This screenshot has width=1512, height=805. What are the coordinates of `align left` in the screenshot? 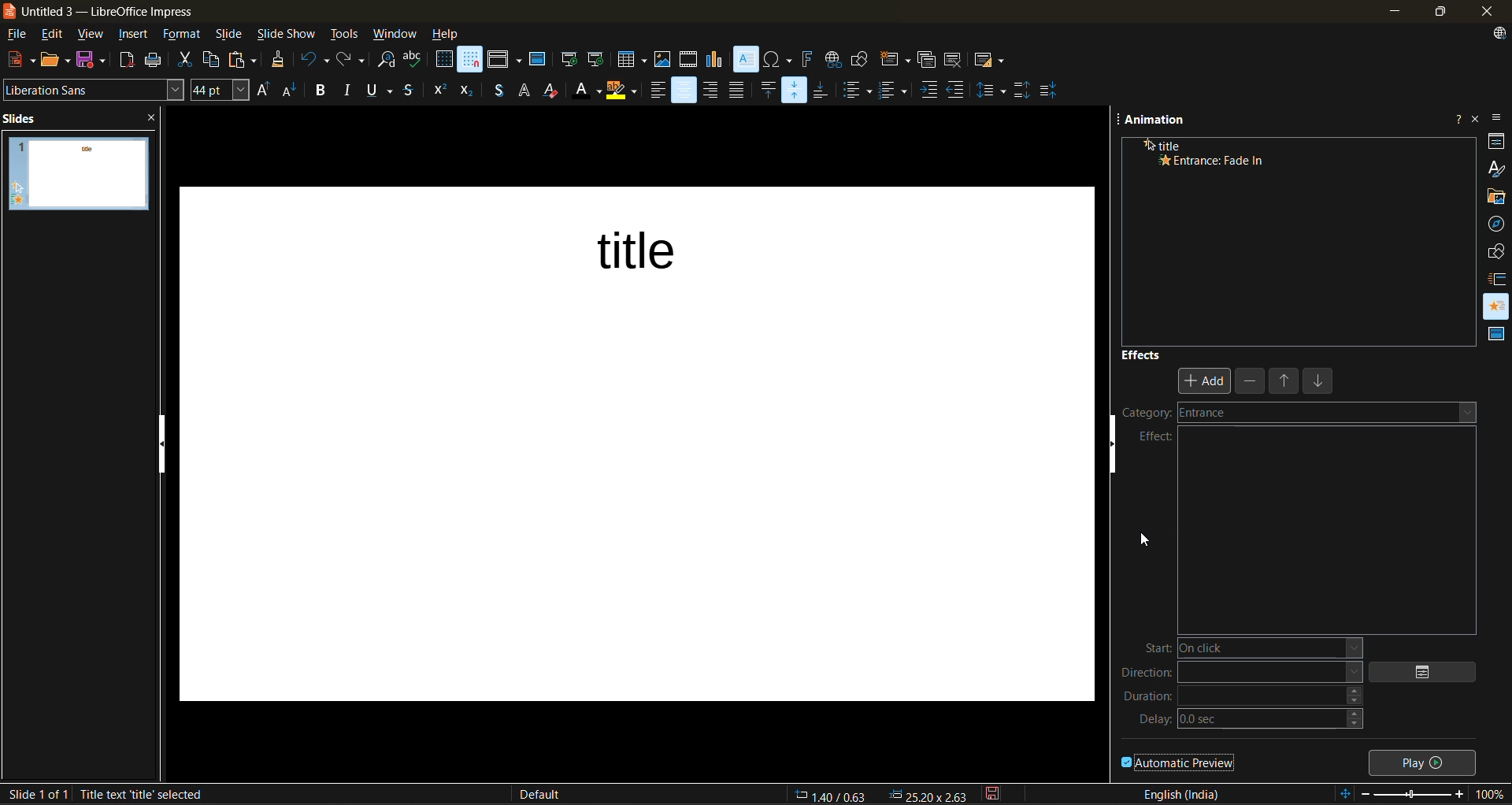 It's located at (655, 93).